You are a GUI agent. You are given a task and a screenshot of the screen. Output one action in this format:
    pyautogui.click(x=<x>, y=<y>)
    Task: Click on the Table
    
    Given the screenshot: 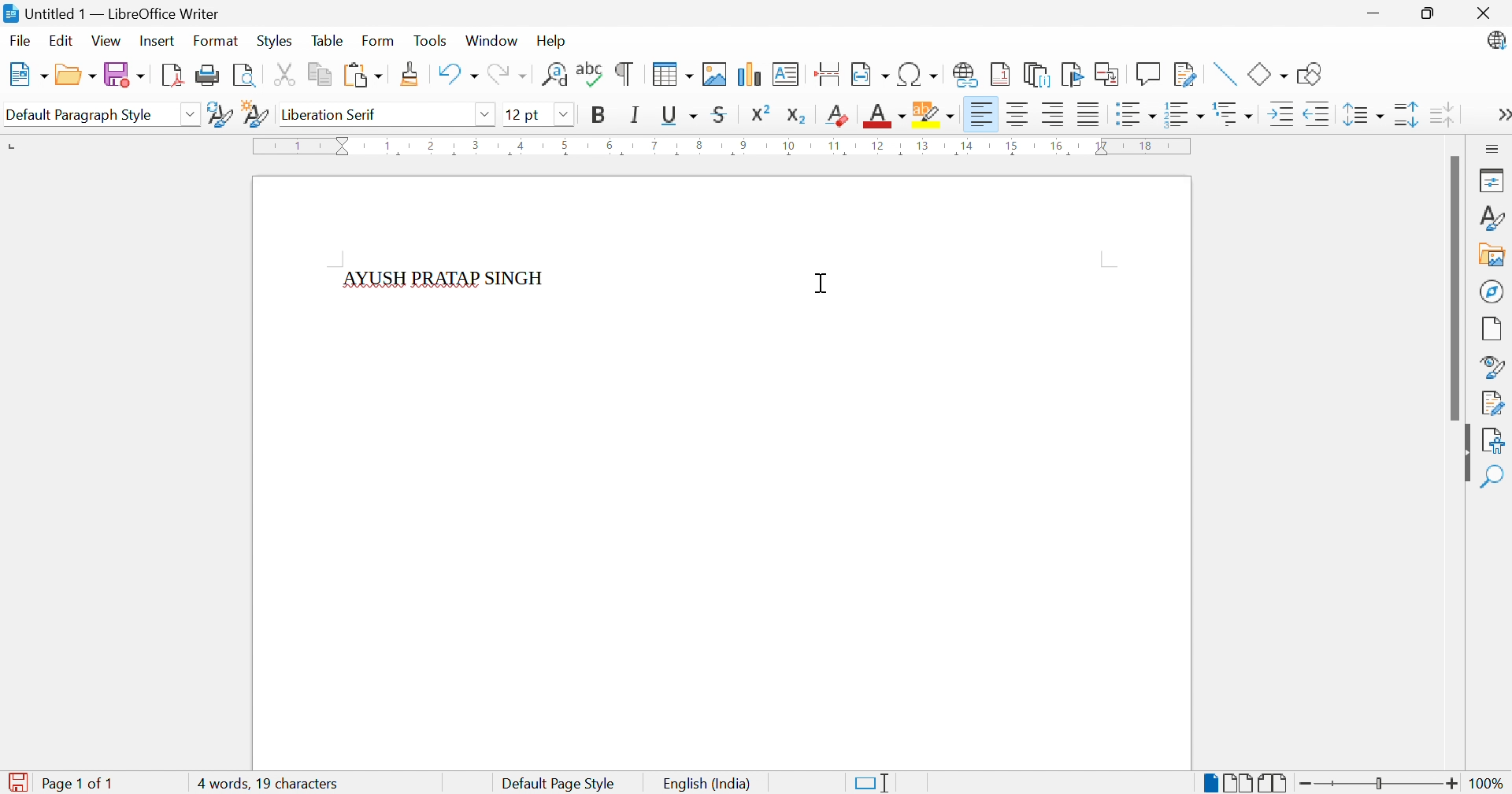 What is the action you would take?
    pyautogui.click(x=328, y=41)
    